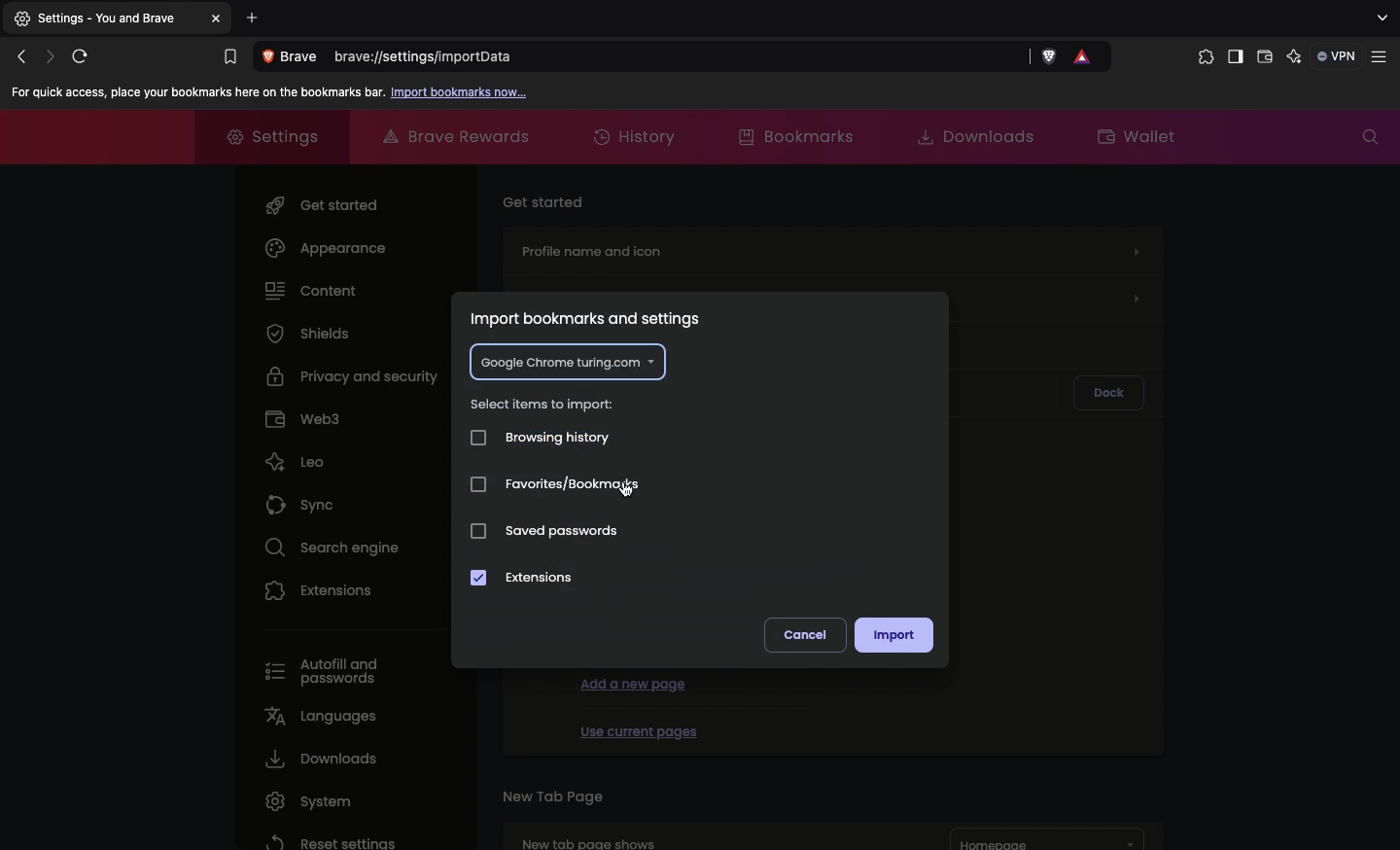  What do you see at coordinates (1234, 58) in the screenshot?
I see `Sidebar` at bounding box center [1234, 58].